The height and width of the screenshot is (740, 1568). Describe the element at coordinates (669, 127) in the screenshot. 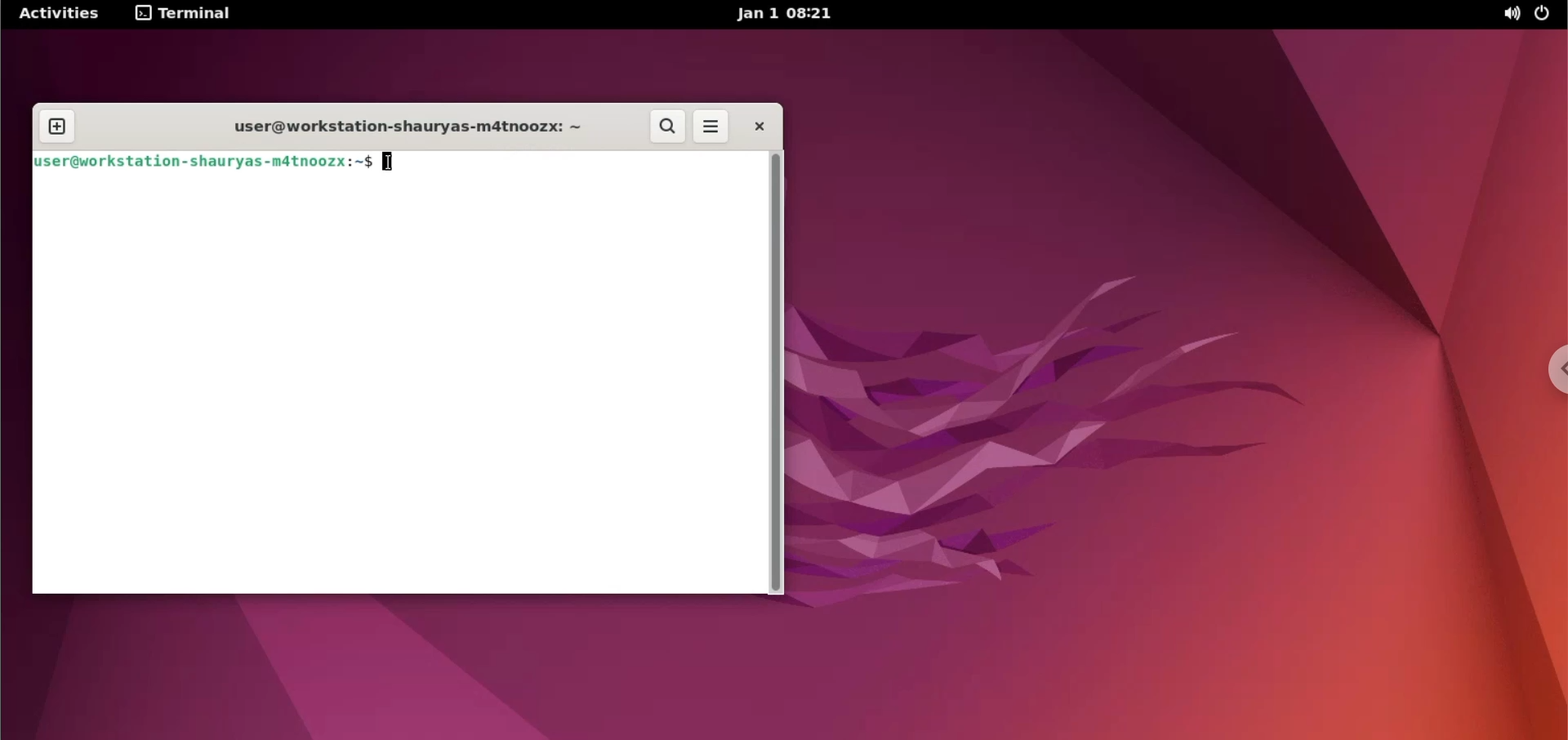

I see `search` at that location.